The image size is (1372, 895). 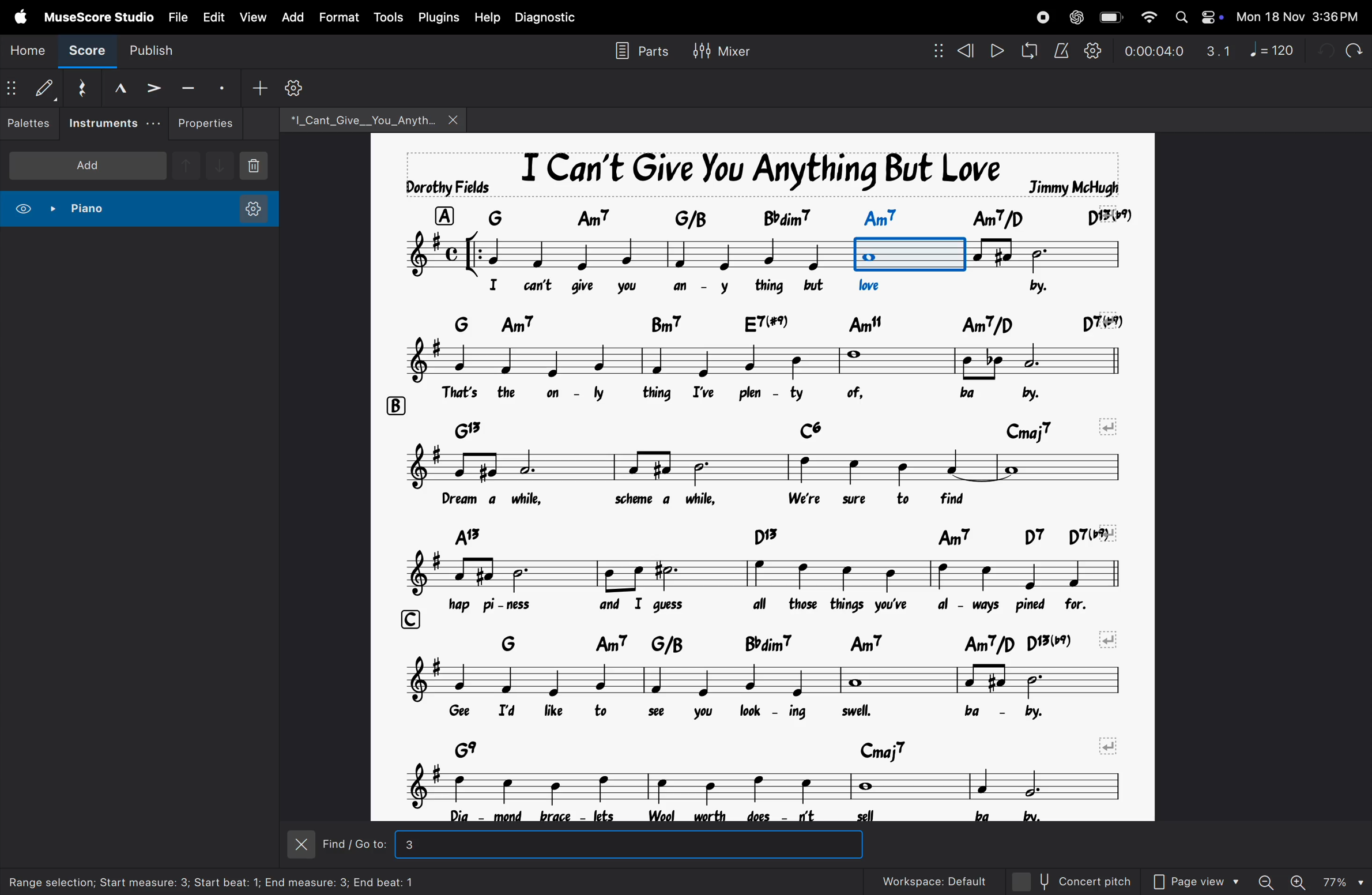 What do you see at coordinates (813, 216) in the screenshot?
I see `chord symbol` at bounding box center [813, 216].